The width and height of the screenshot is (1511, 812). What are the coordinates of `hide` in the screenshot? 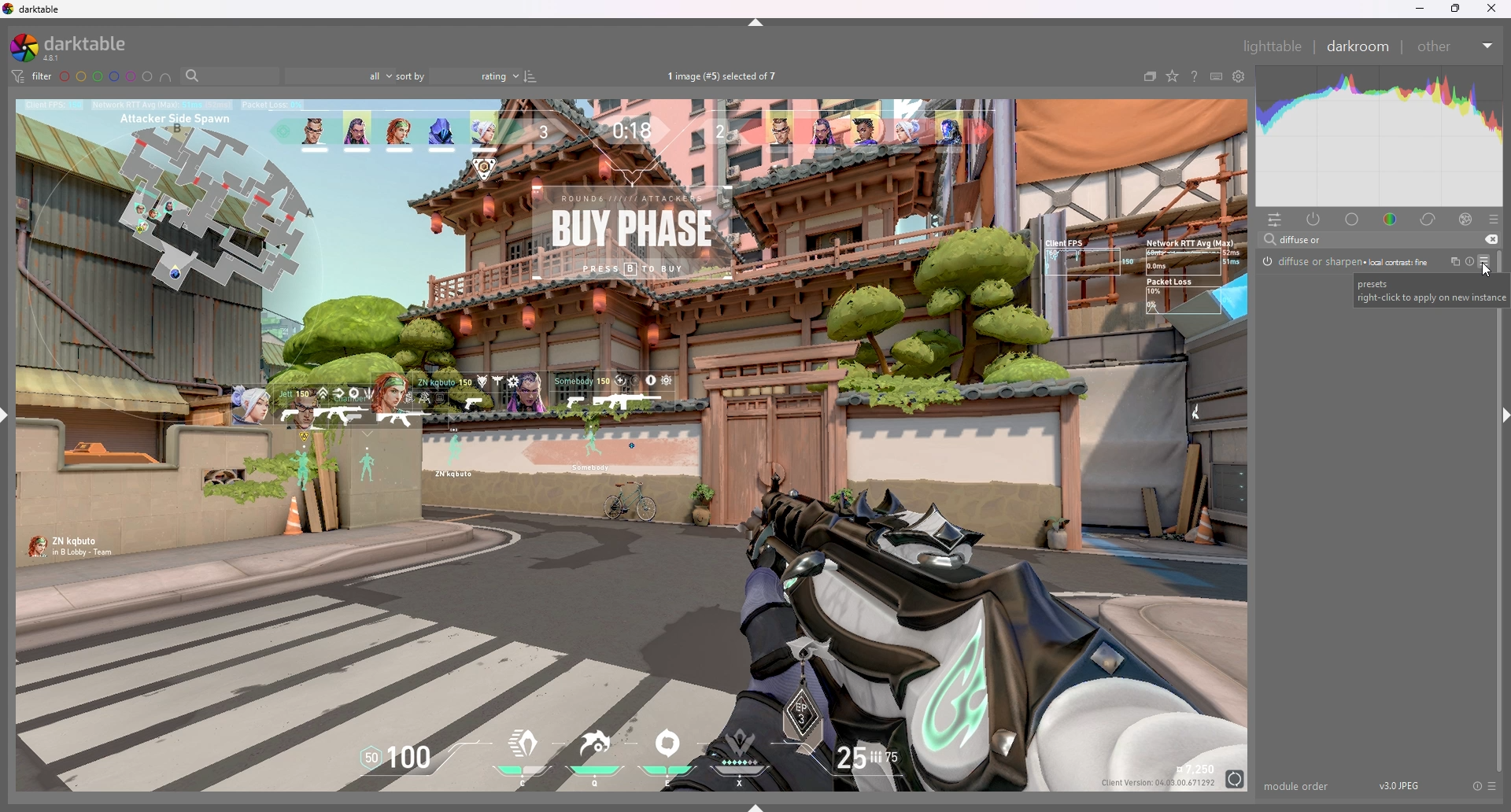 It's located at (757, 22).